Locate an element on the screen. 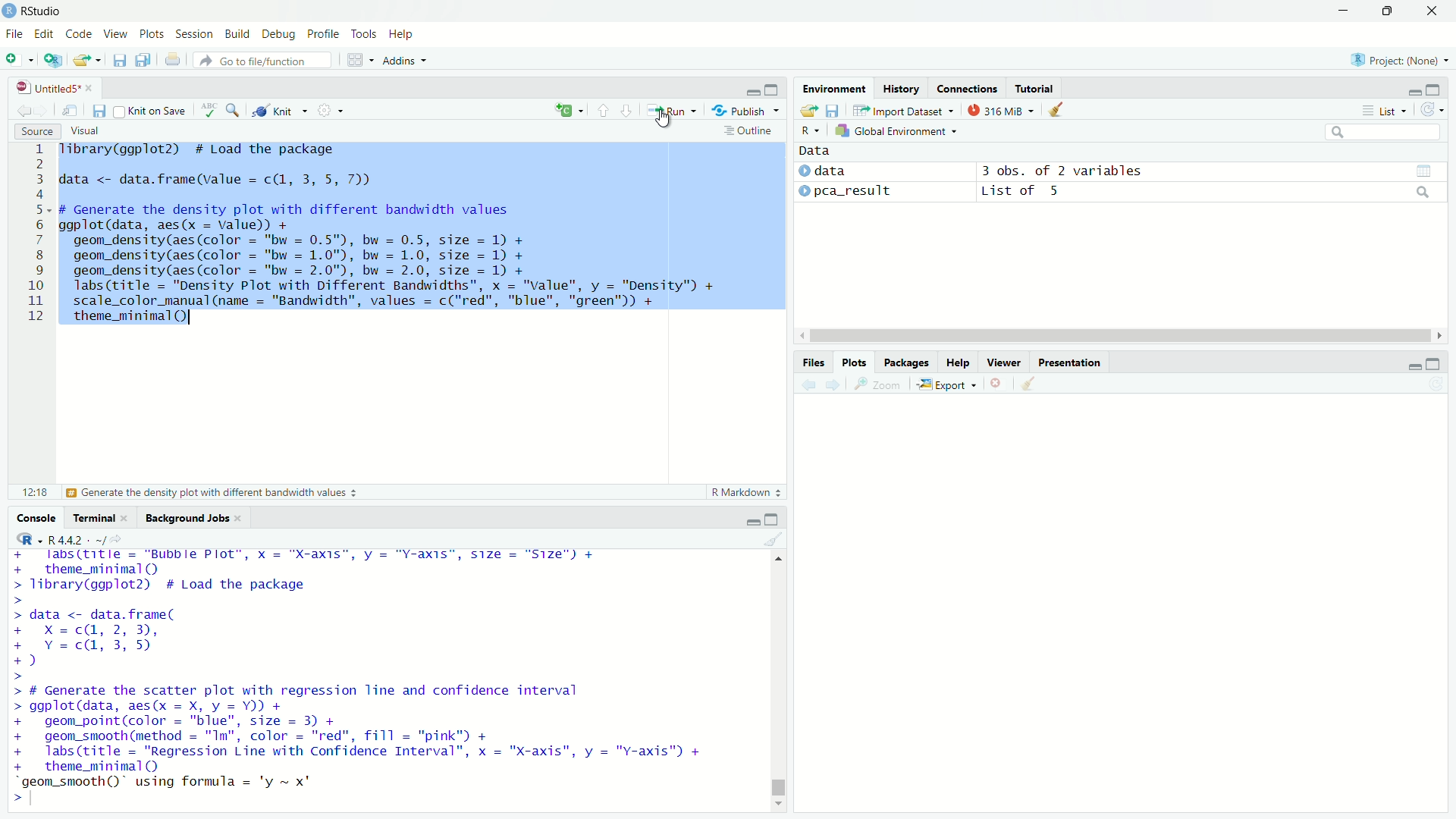  Save current document is located at coordinates (119, 61).